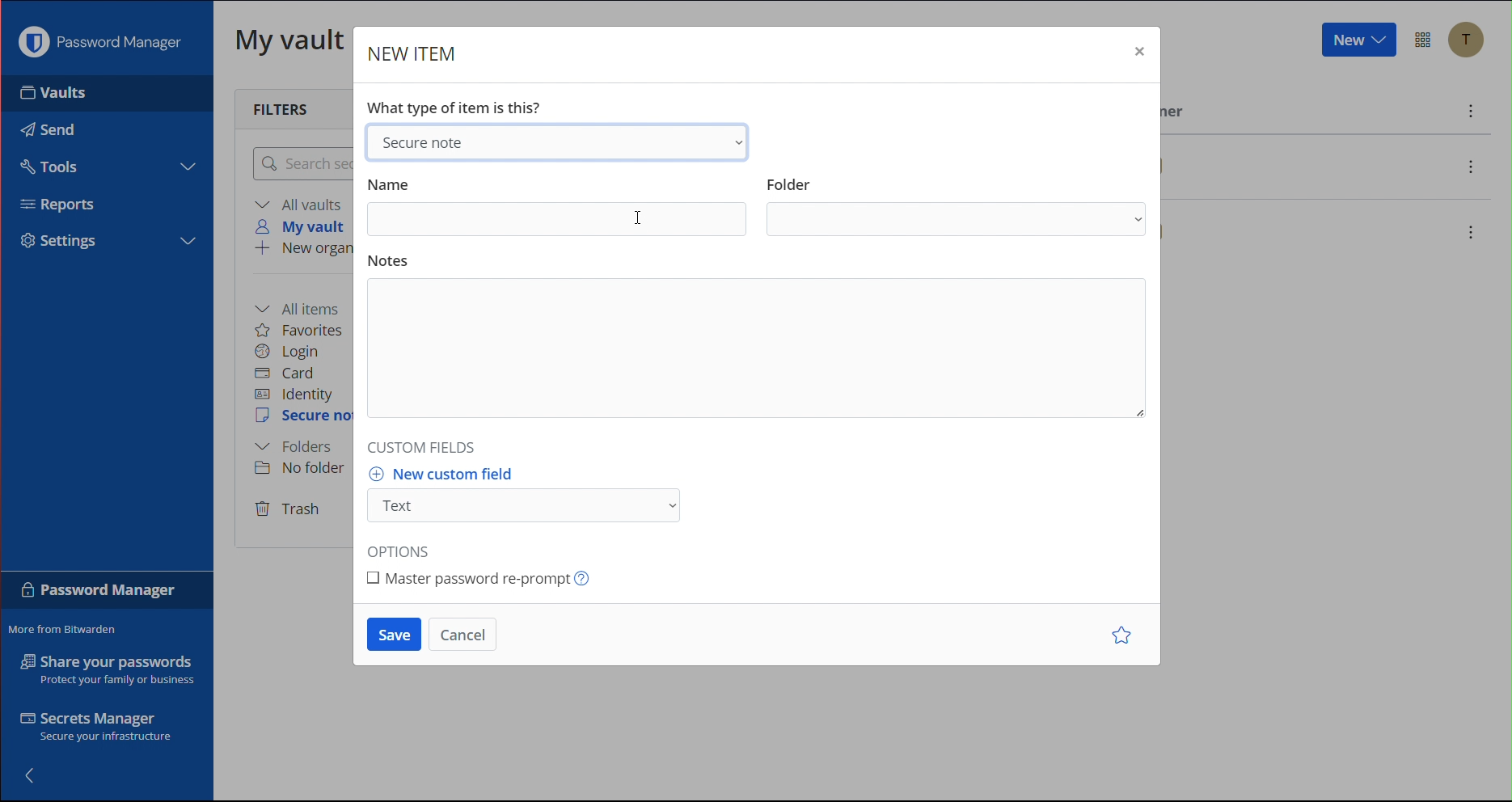 The image size is (1512, 802). Describe the element at coordinates (291, 352) in the screenshot. I see `Login` at that location.